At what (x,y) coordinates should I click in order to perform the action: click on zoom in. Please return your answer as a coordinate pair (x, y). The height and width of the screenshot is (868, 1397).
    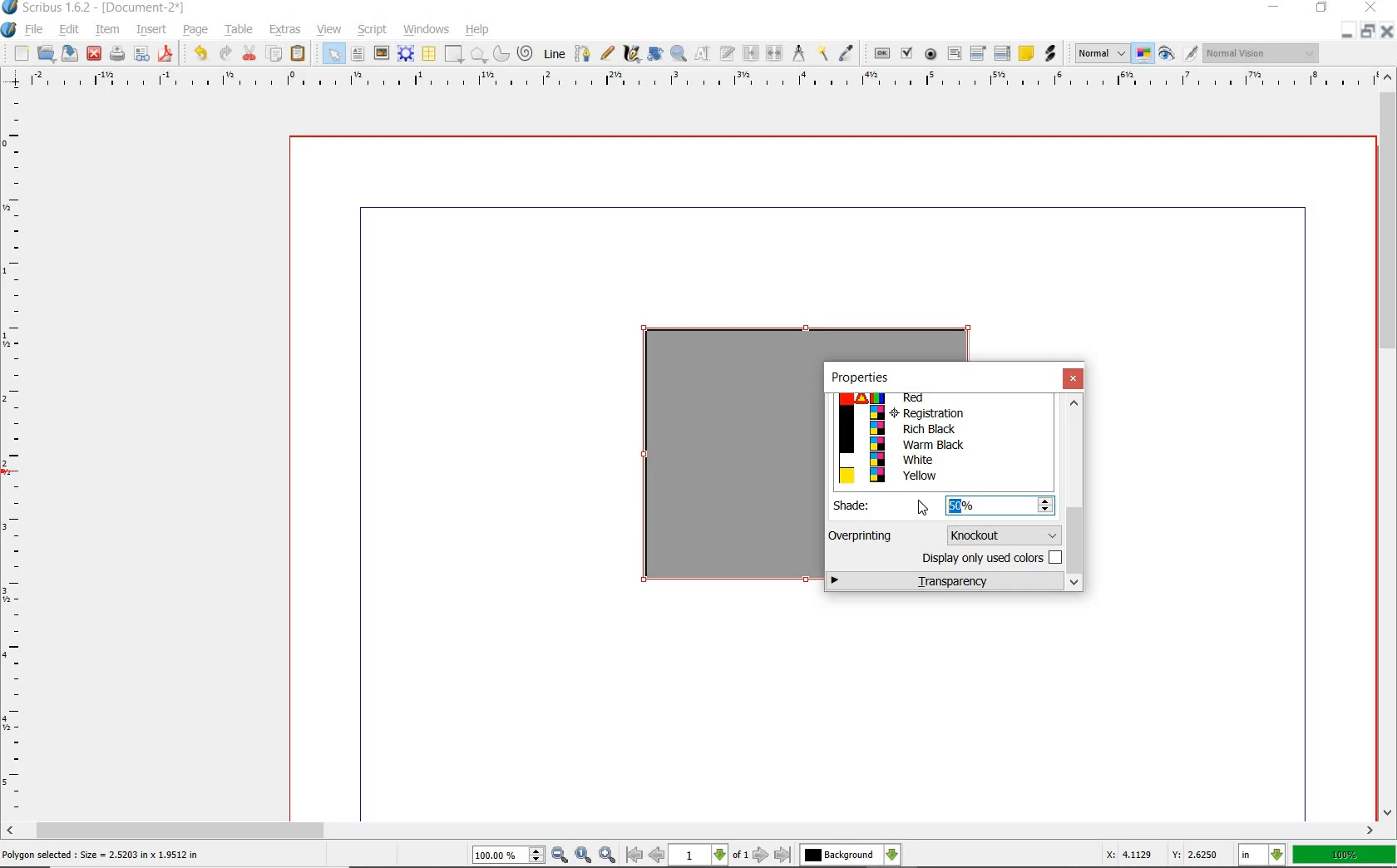
    Looking at the image, I should click on (607, 853).